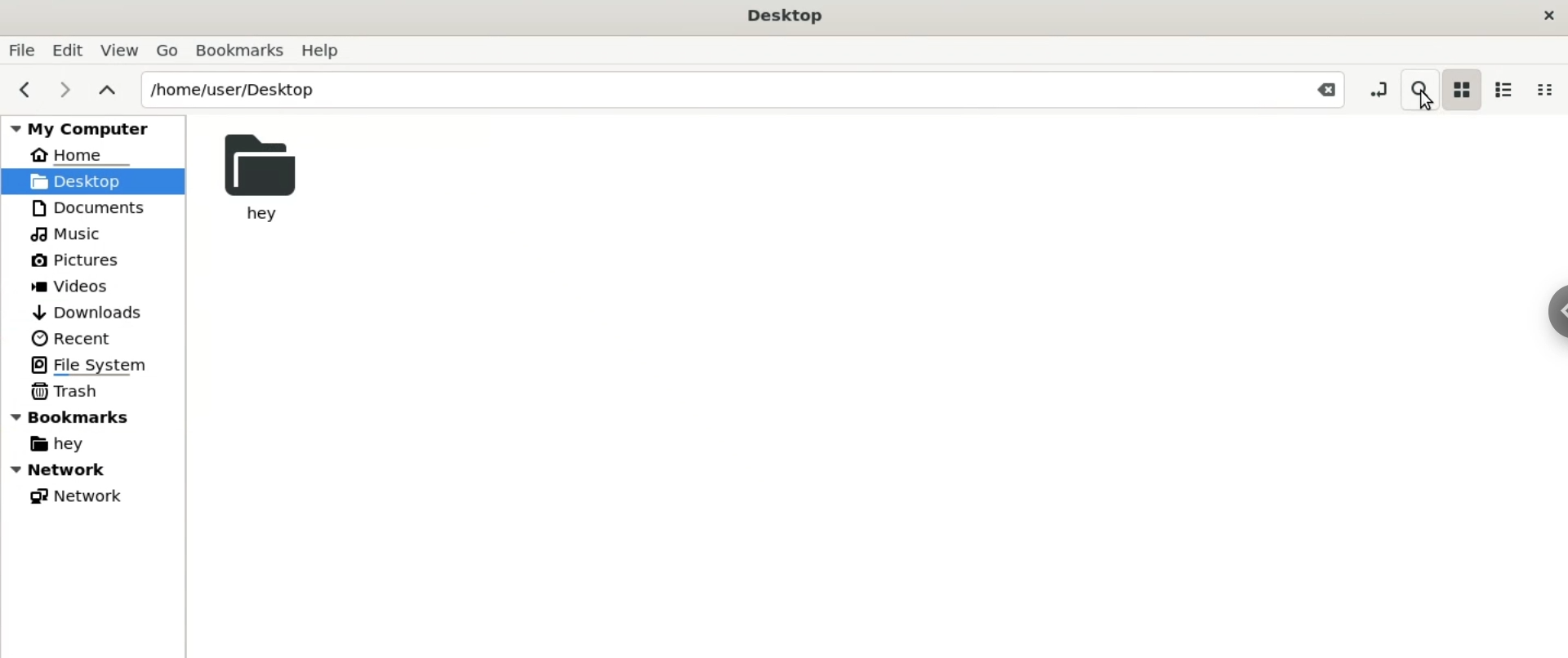 This screenshot has width=1568, height=658. Describe the element at coordinates (1549, 86) in the screenshot. I see `compact view` at that location.